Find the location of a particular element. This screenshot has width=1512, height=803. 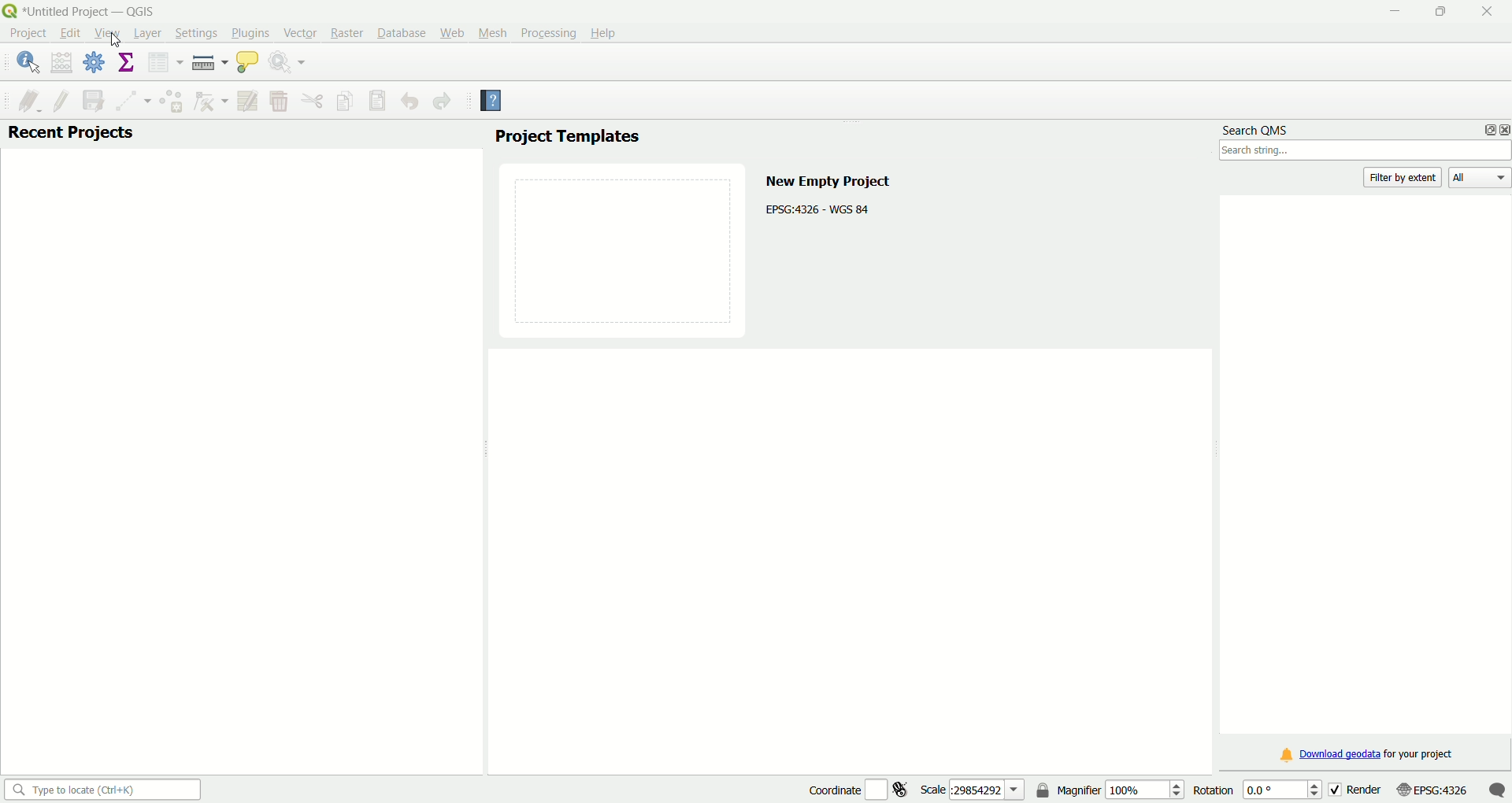

close is located at coordinates (1503, 129).